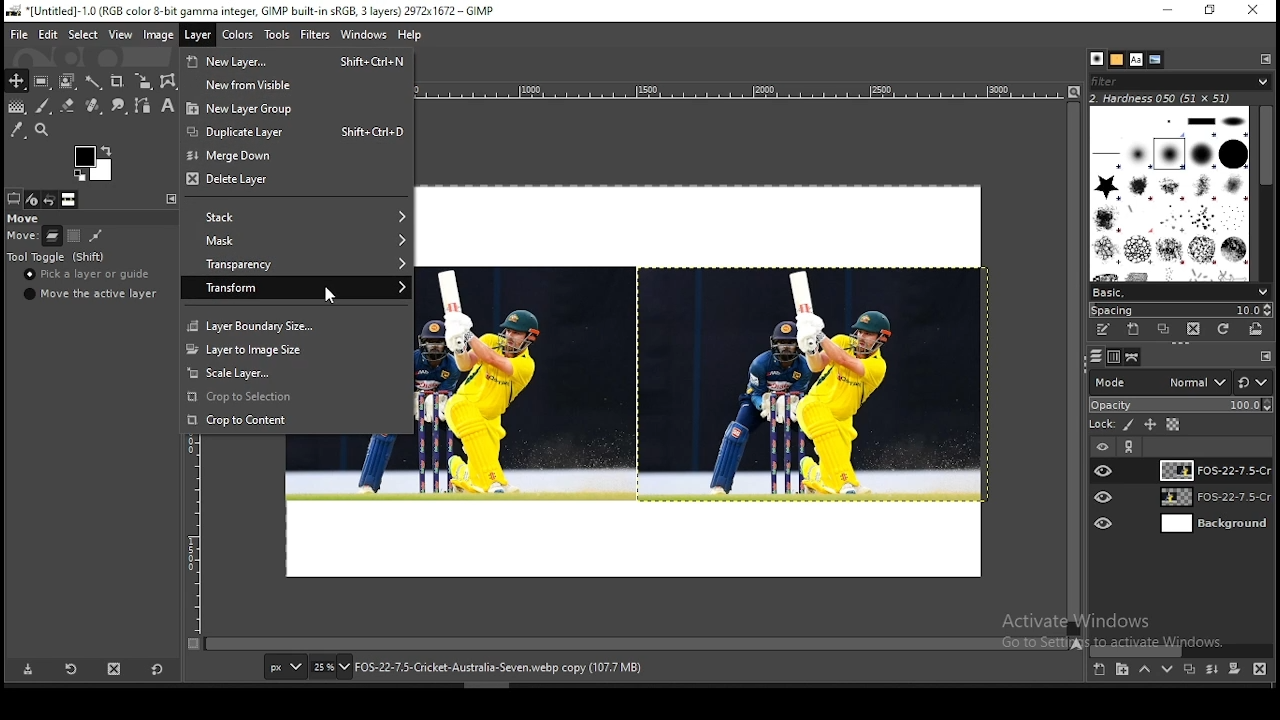 The image size is (1280, 720). I want to click on layer, so click(1213, 524).